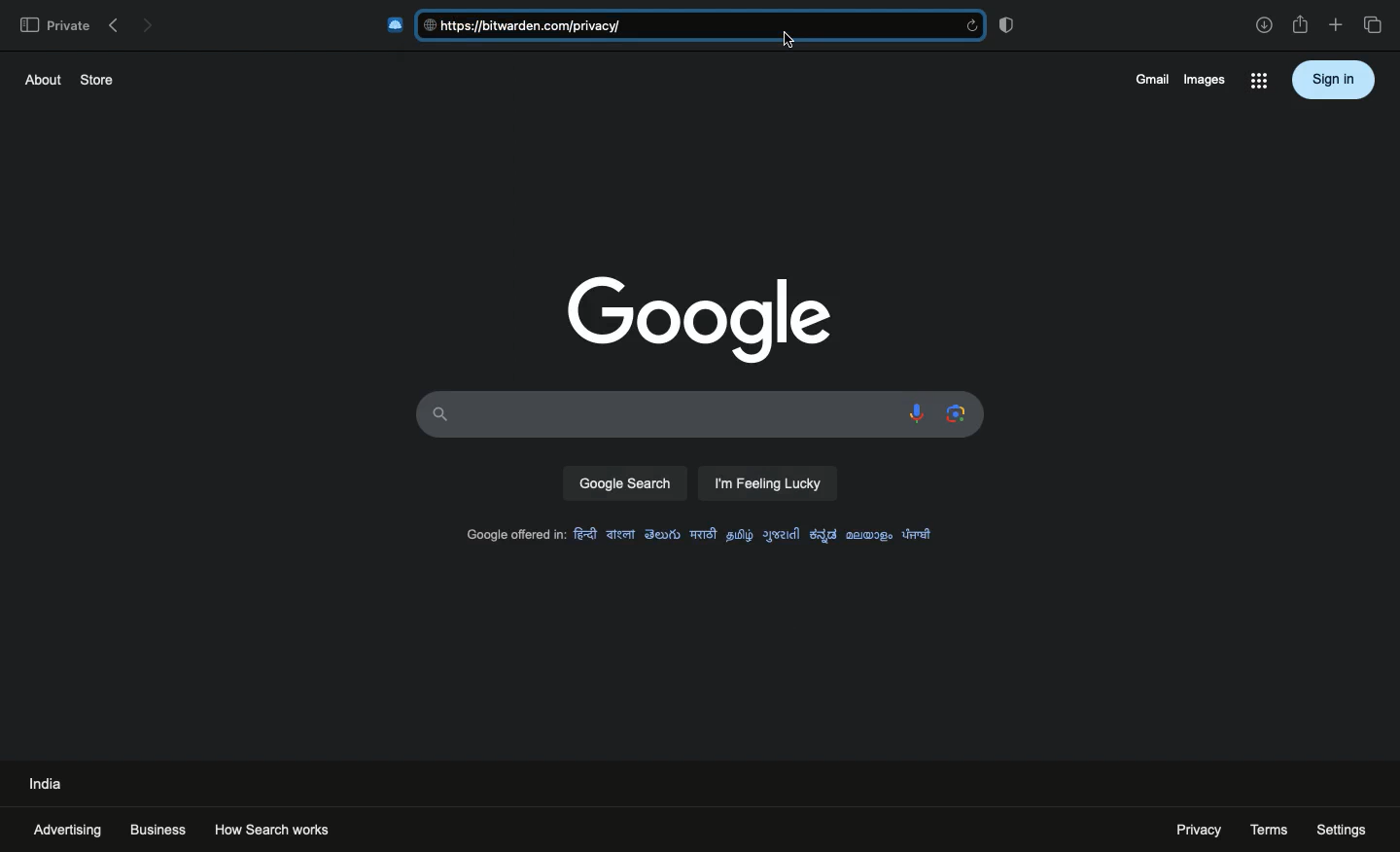 The width and height of the screenshot is (1400, 852). What do you see at coordinates (98, 78) in the screenshot?
I see `store` at bounding box center [98, 78].